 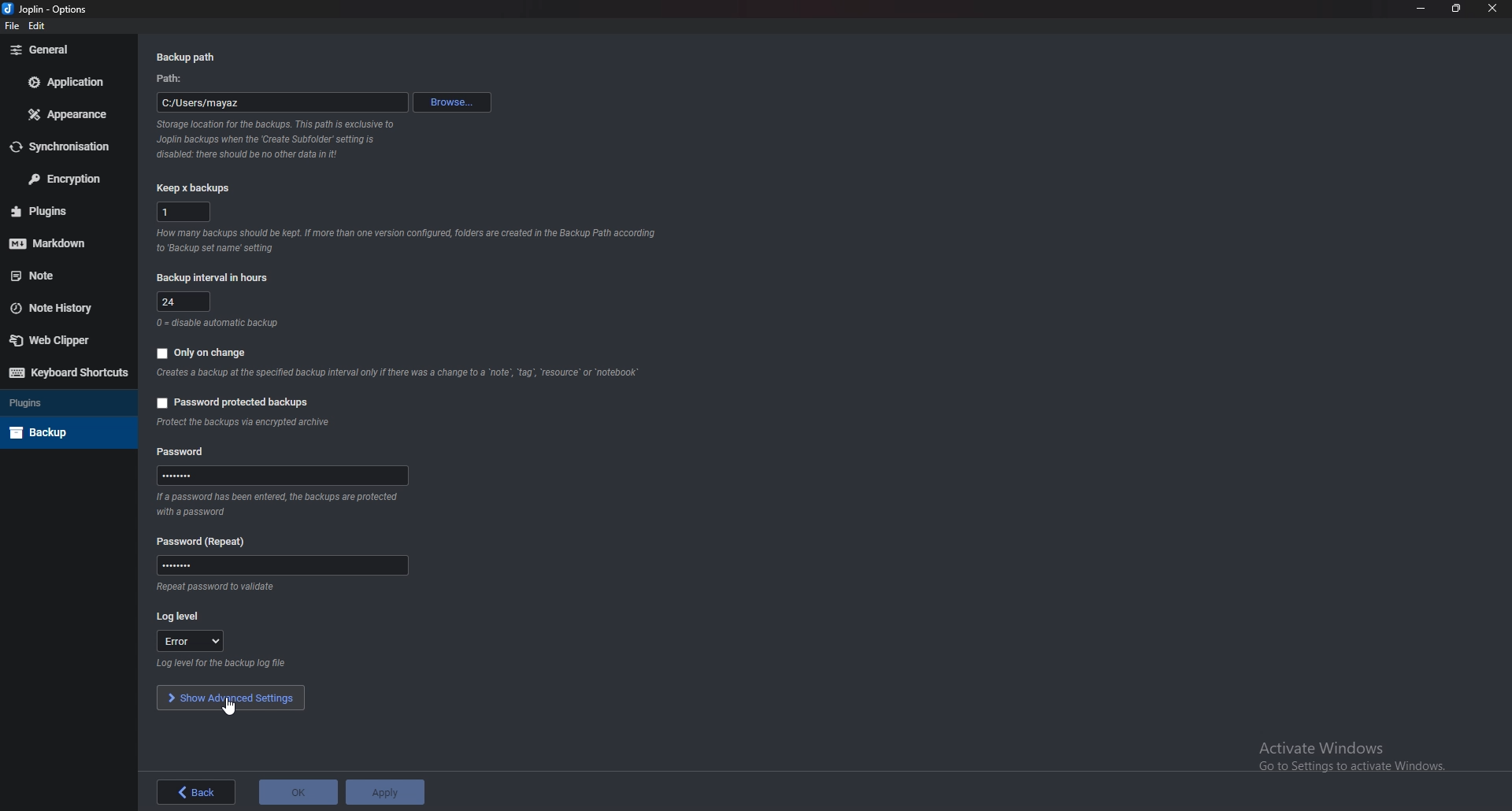 What do you see at coordinates (188, 57) in the screenshot?
I see `Back up path` at bounding box center [188, 57].